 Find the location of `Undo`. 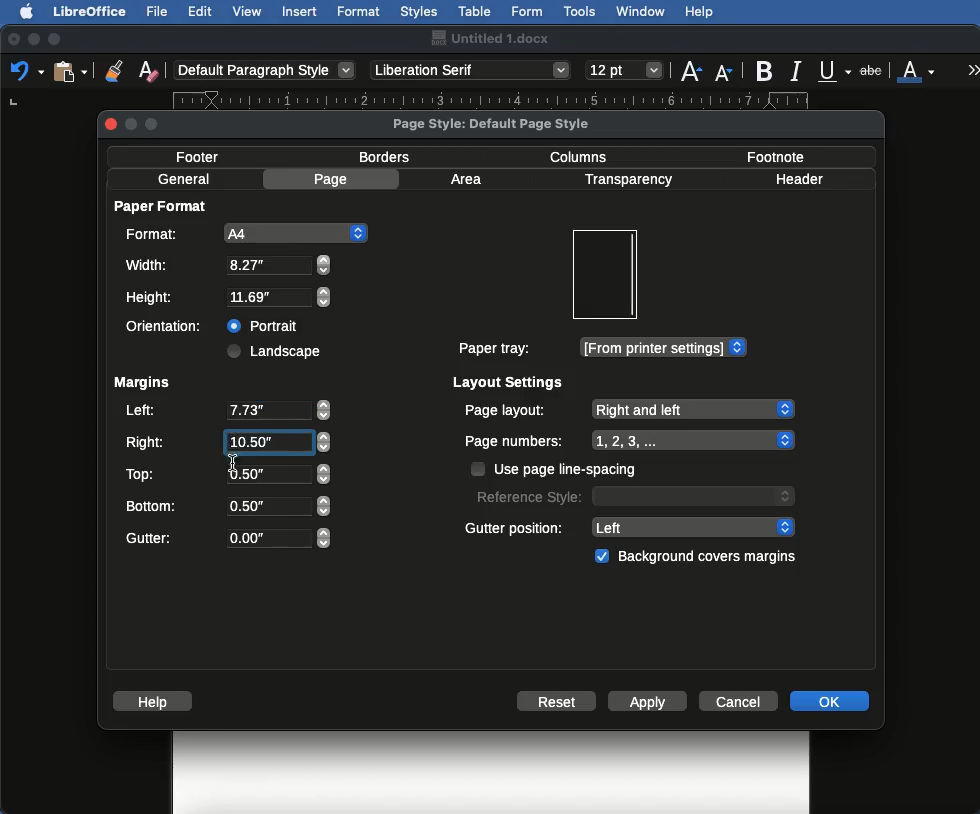

Undo is located at coordinates (26, 70).